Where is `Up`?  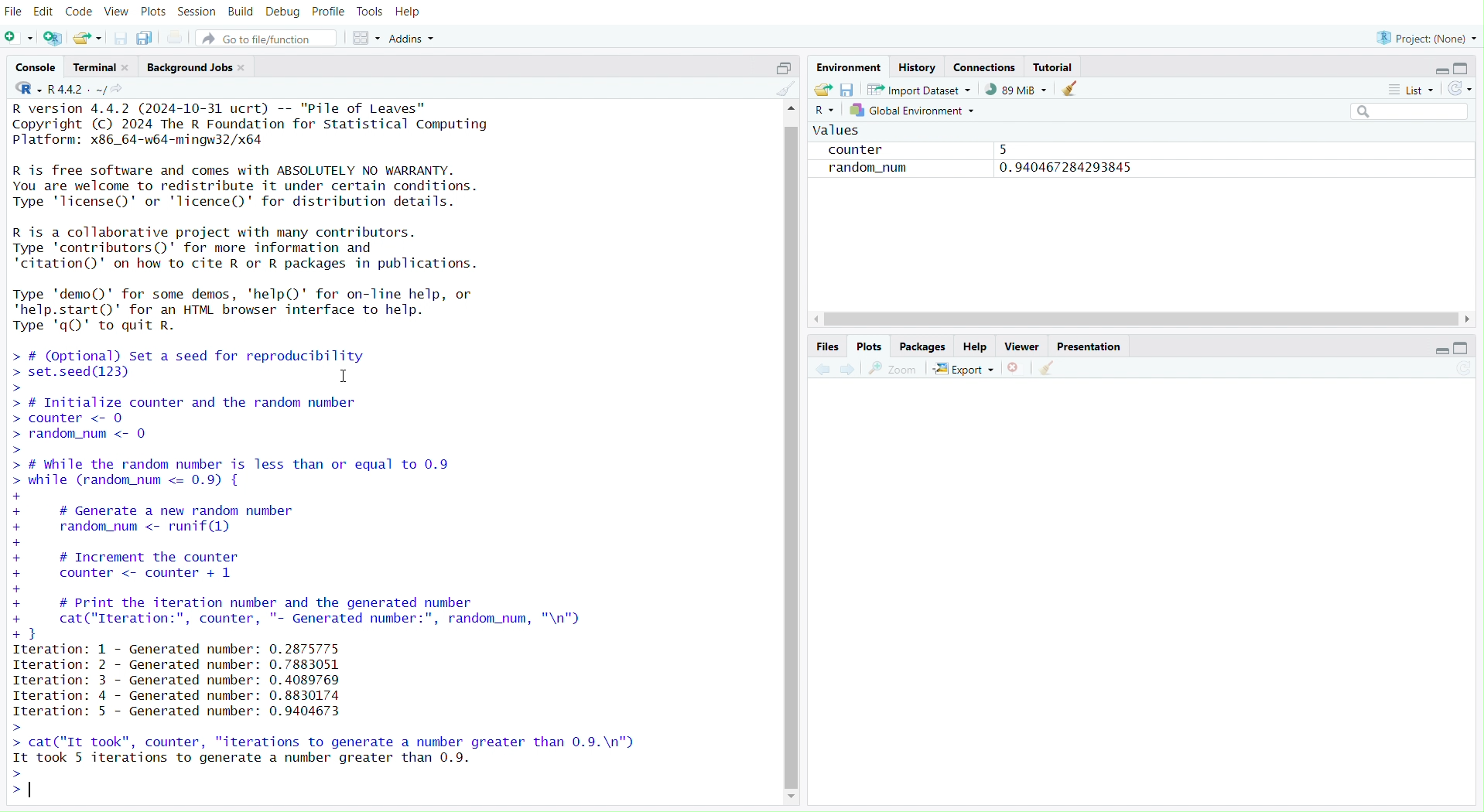
Up is located at coordinates (796, 111).